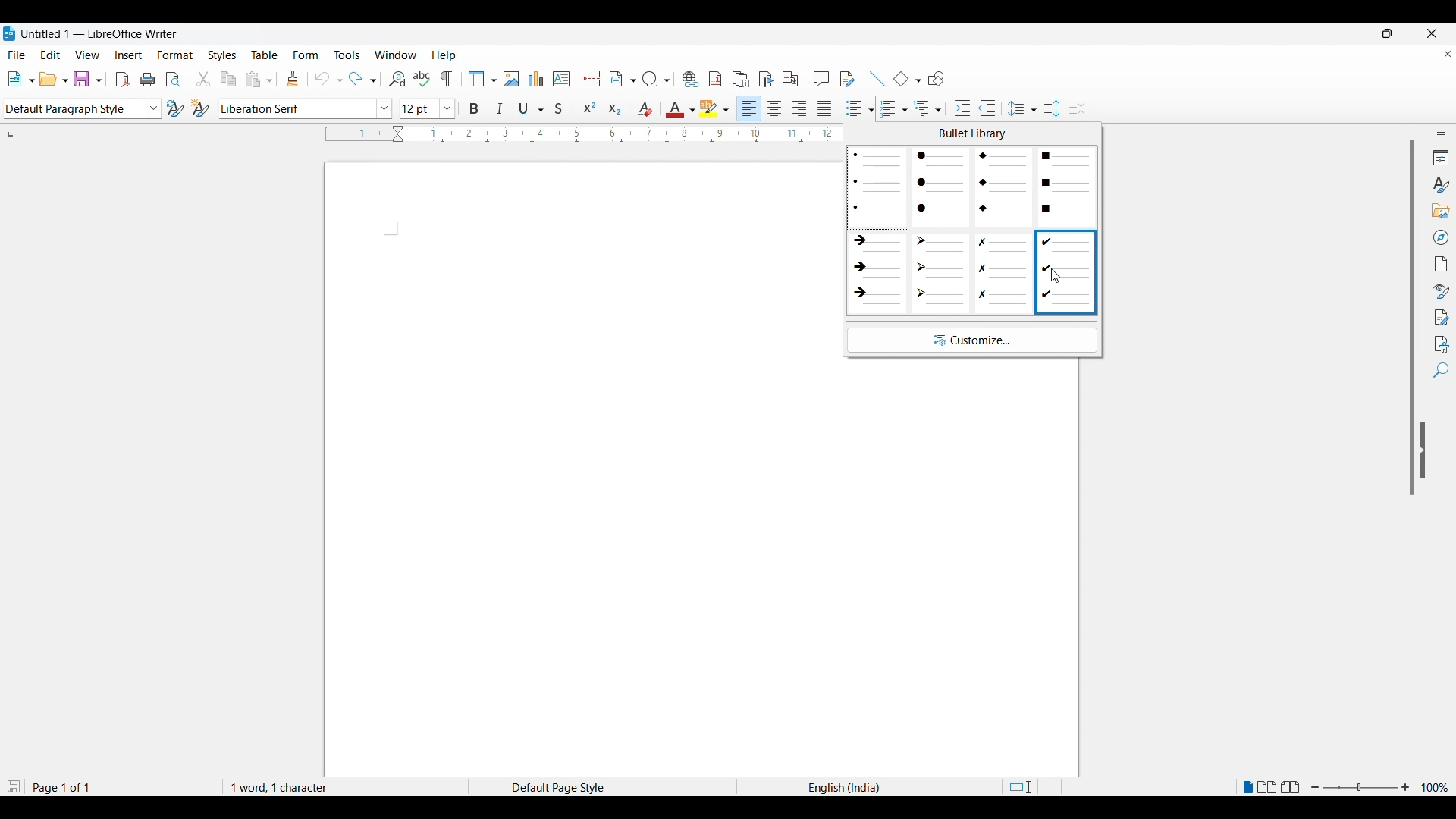 This screenshot has height=819, width=1456. What do you see at coordinates (201, 108) in the screenshot?
I see `change style` at bounding box center [201, 108].